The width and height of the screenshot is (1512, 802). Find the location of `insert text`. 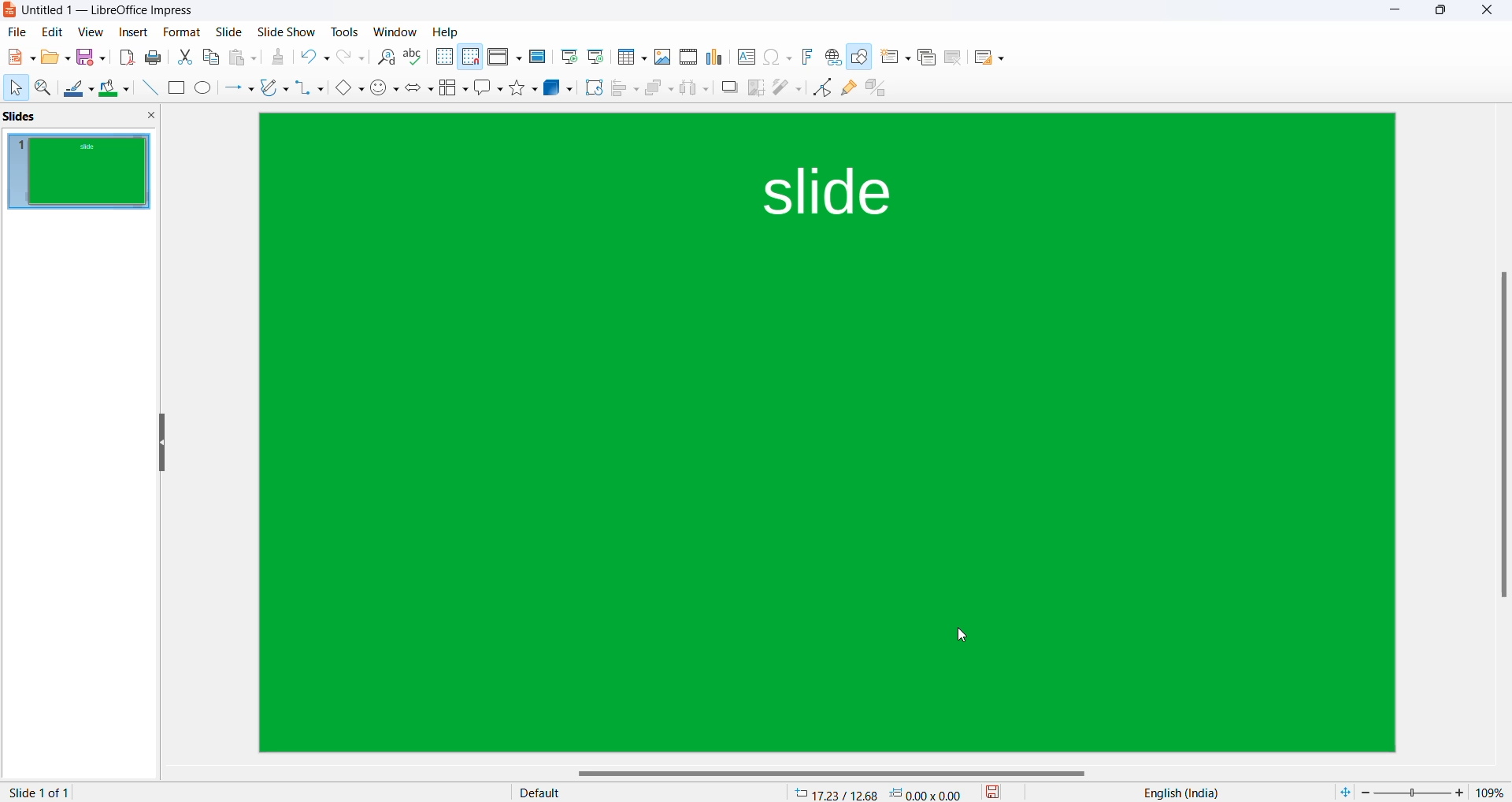

insert text is located at coordinates (745, 56).